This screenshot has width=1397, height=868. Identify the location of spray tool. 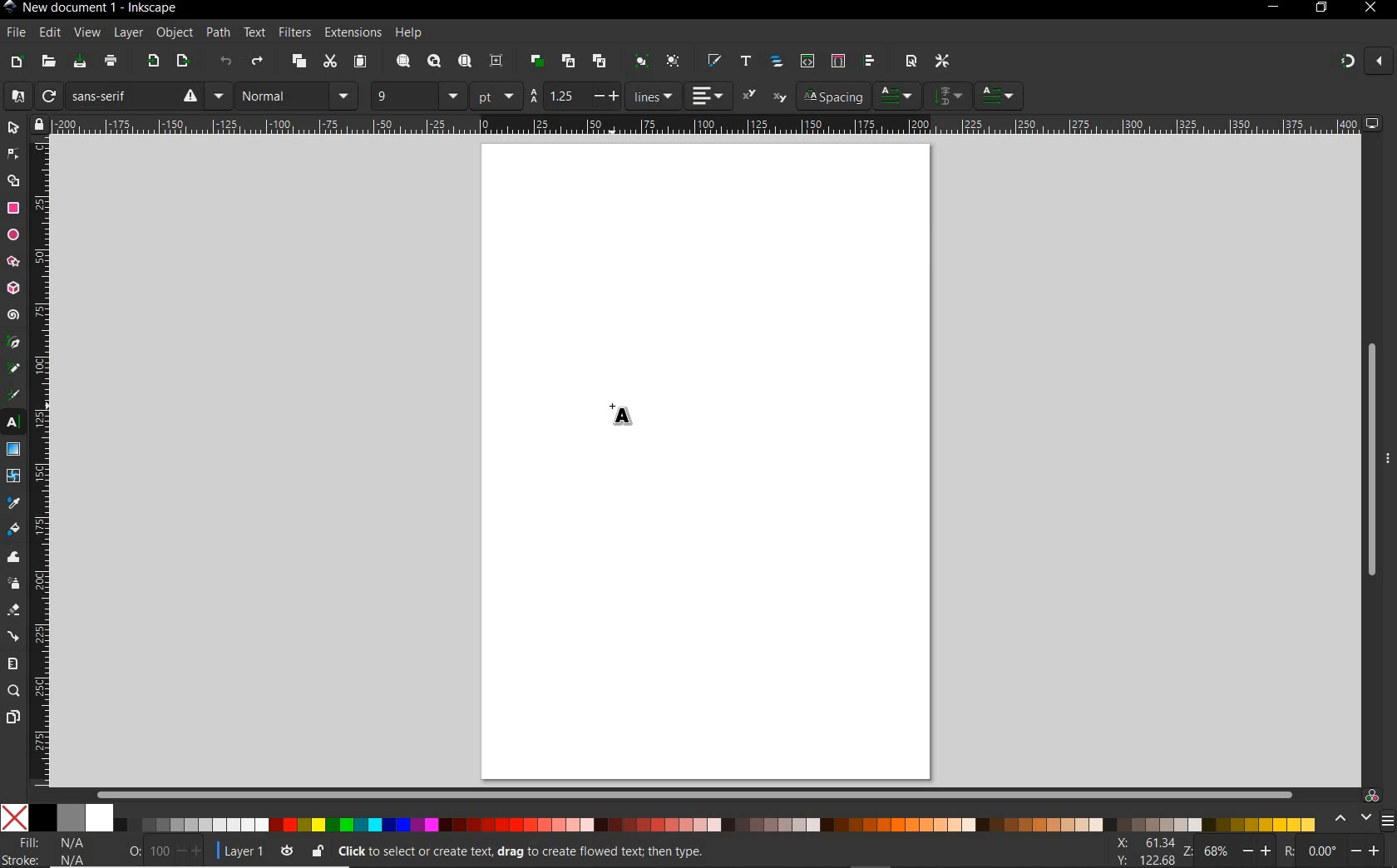
(13, 584).